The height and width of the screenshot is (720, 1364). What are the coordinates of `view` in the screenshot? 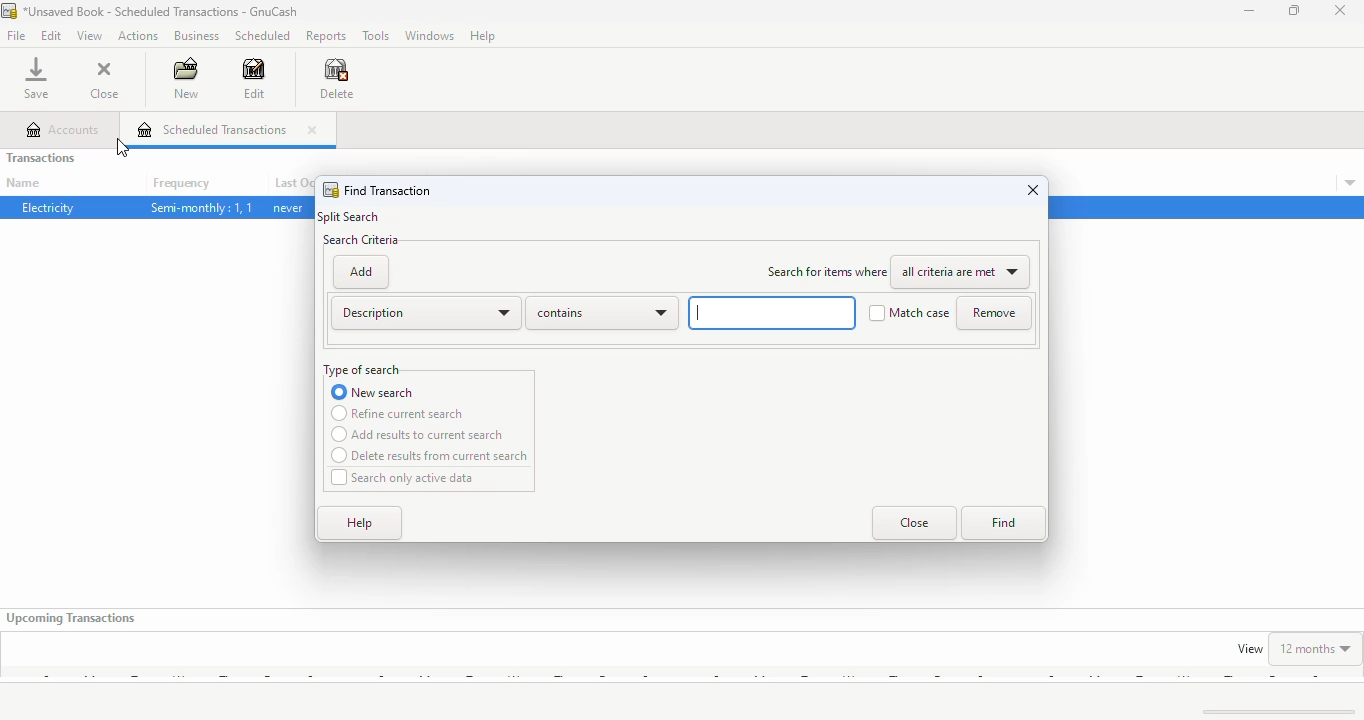 It's located at (90, 36).